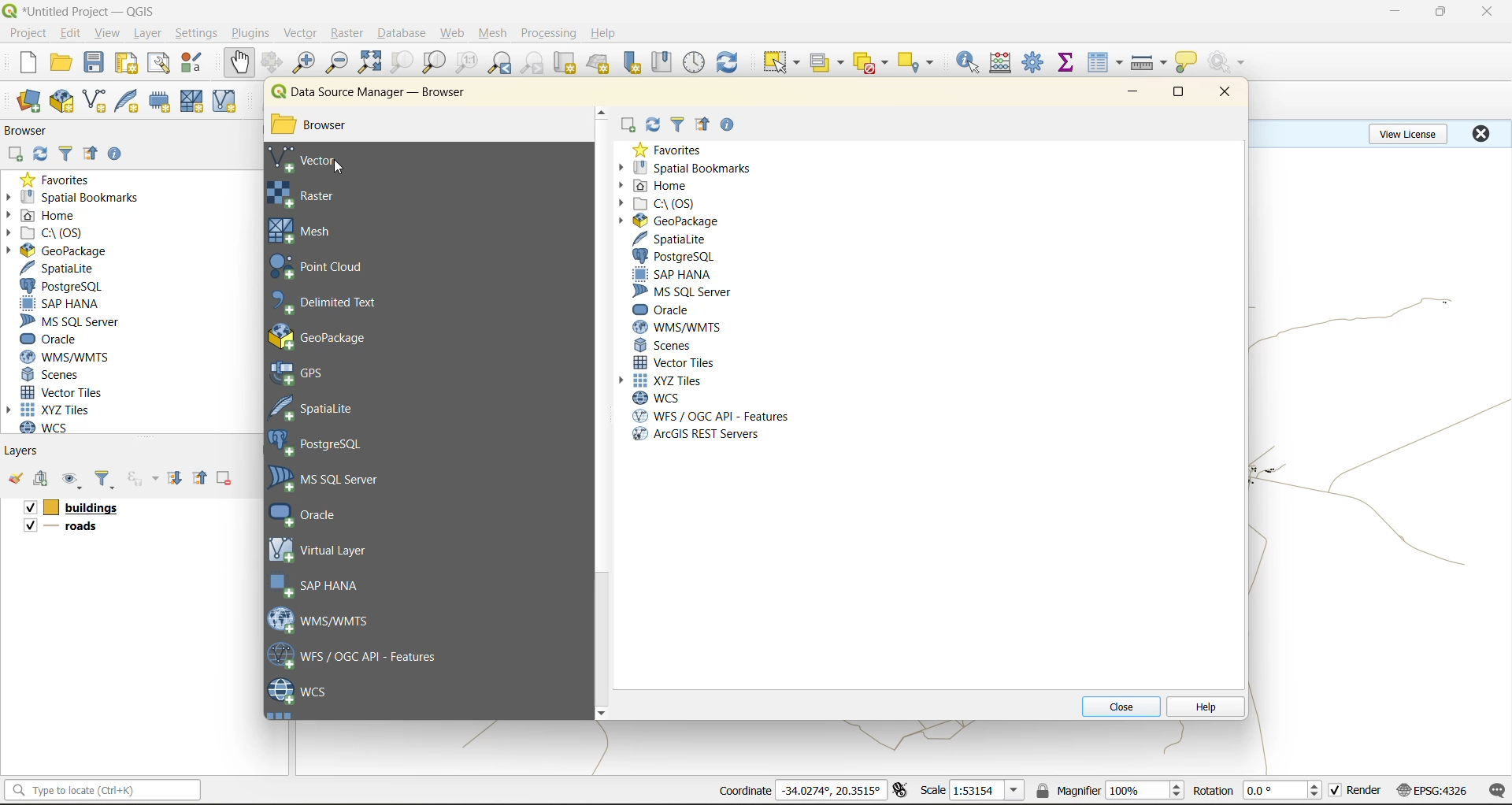 The image size is (1512, 805). I want to click on spatial lite, so click(325, 406).